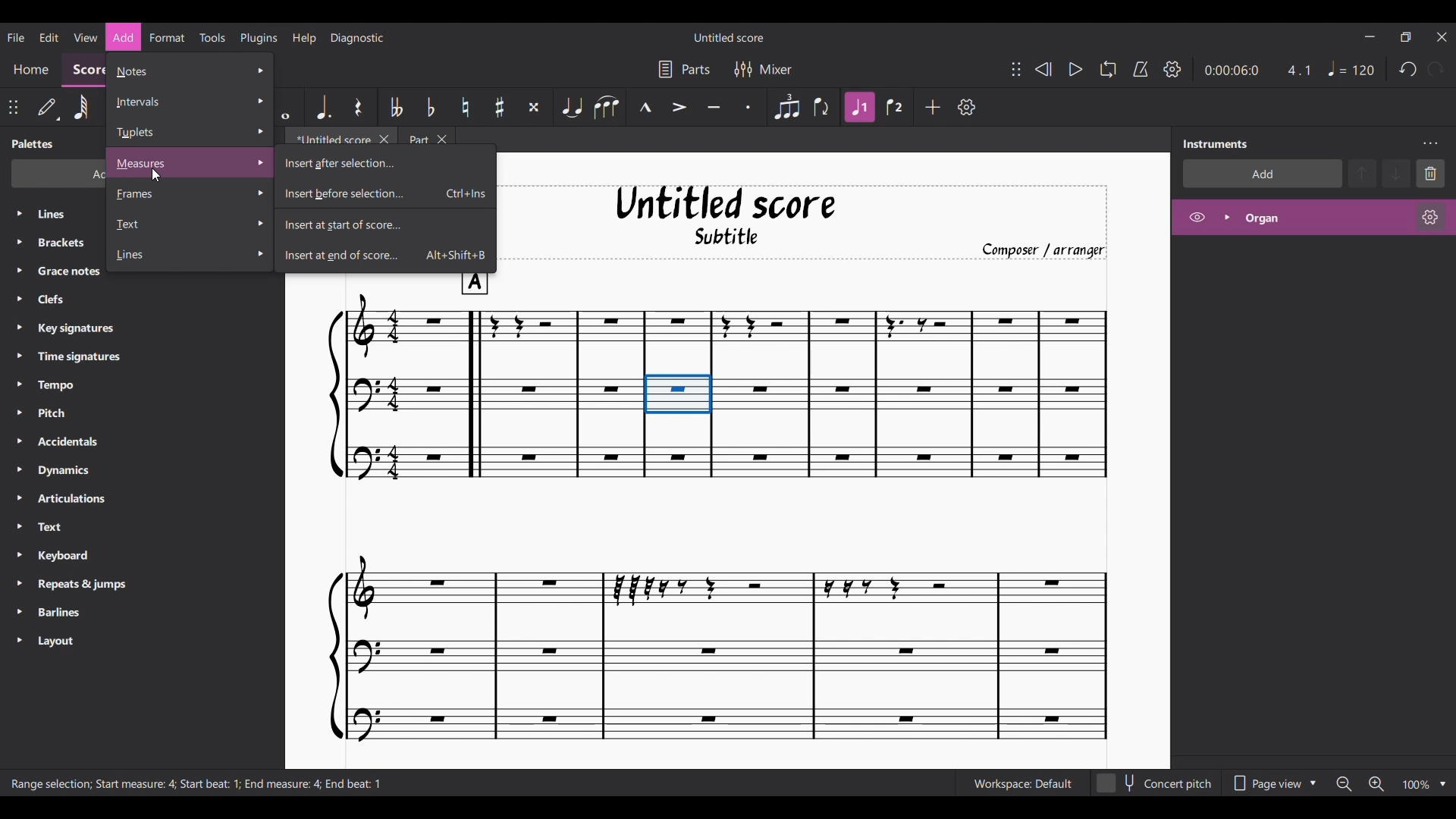 The image size is (1456, 819). I want to click on Format menu, so click(167, 37).